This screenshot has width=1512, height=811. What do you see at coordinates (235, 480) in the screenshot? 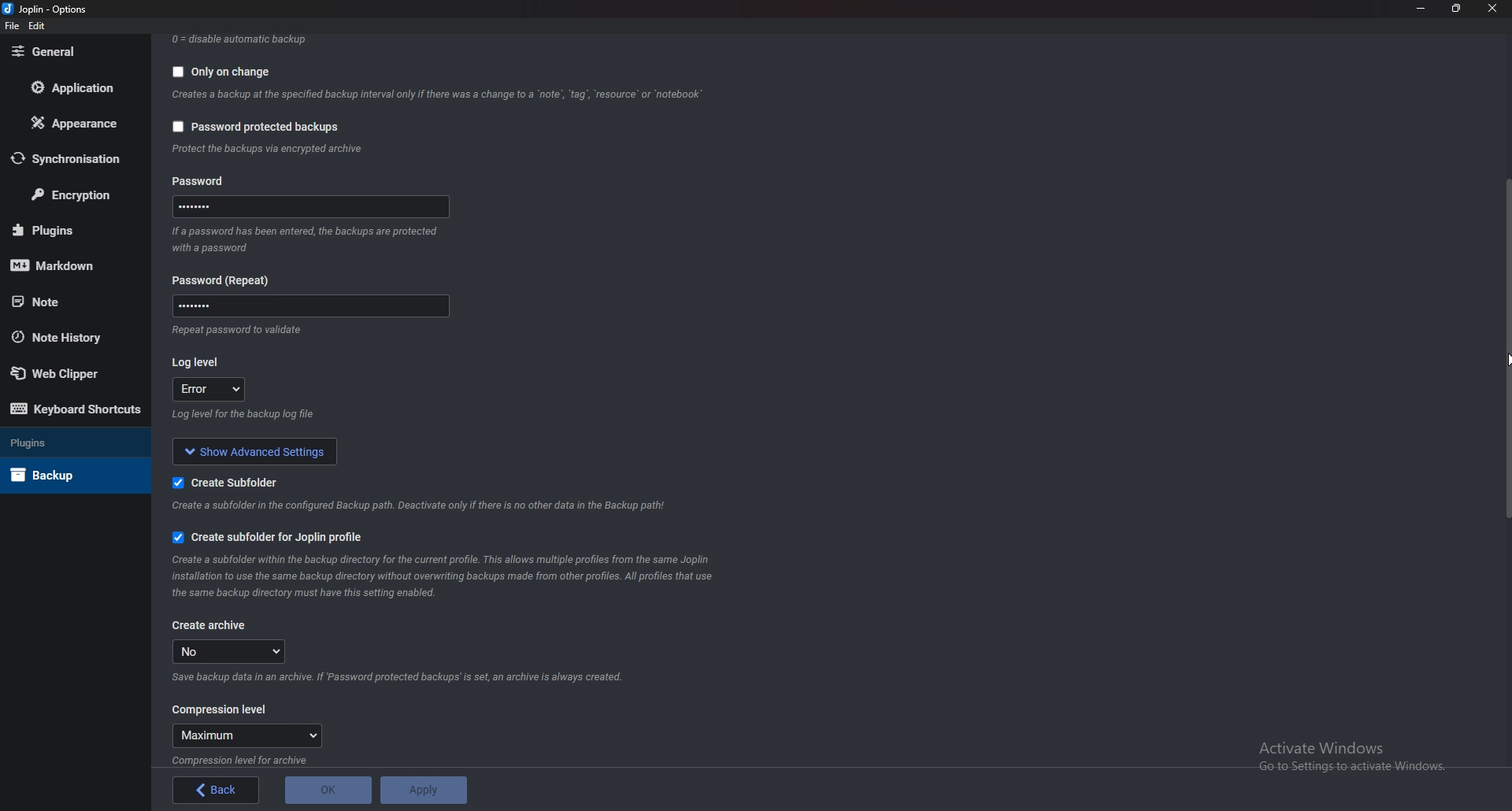
I see `Create sub folder` at bounding box center [235, 480].